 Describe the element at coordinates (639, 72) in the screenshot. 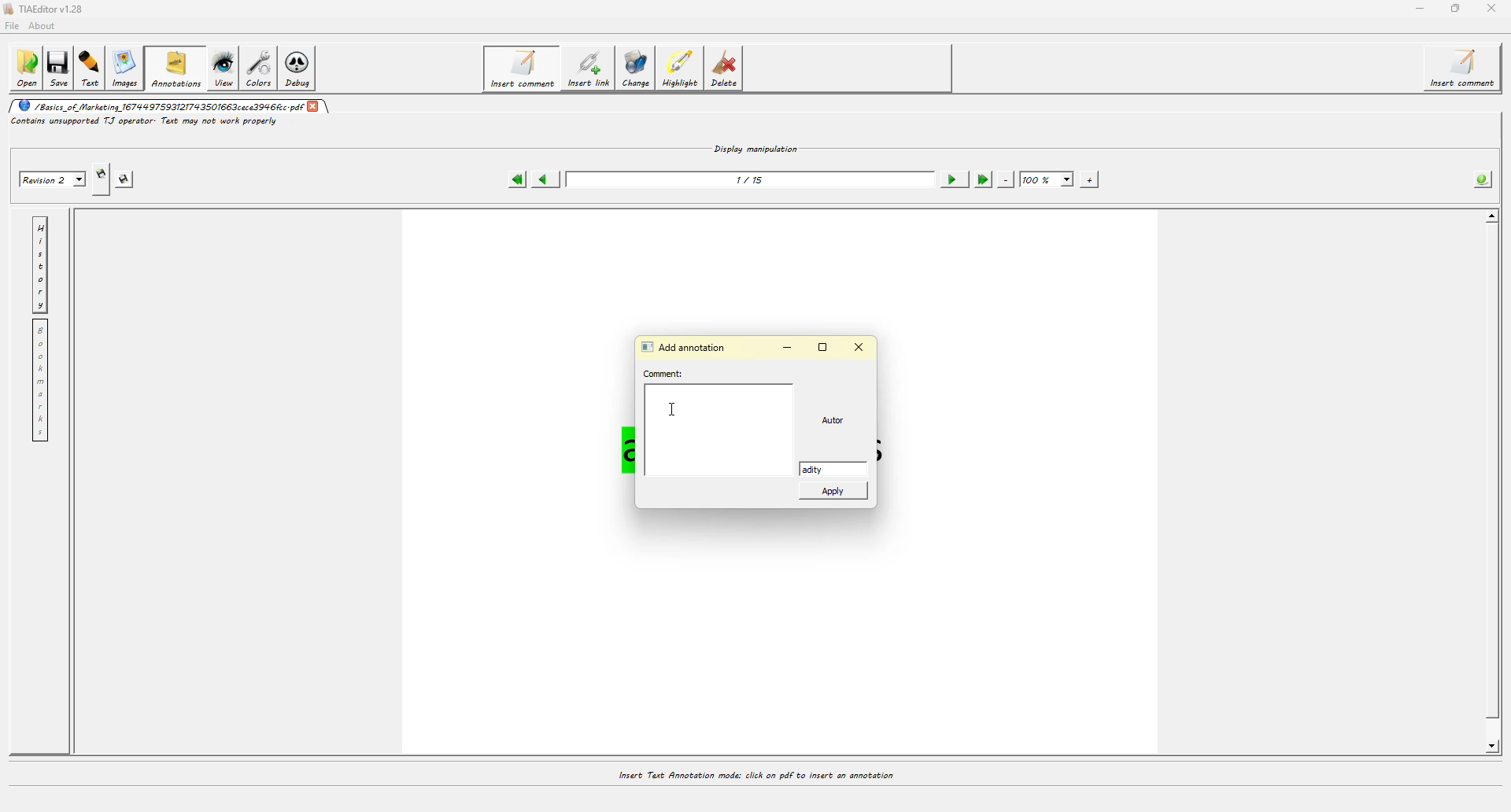

I see `change` at that location.